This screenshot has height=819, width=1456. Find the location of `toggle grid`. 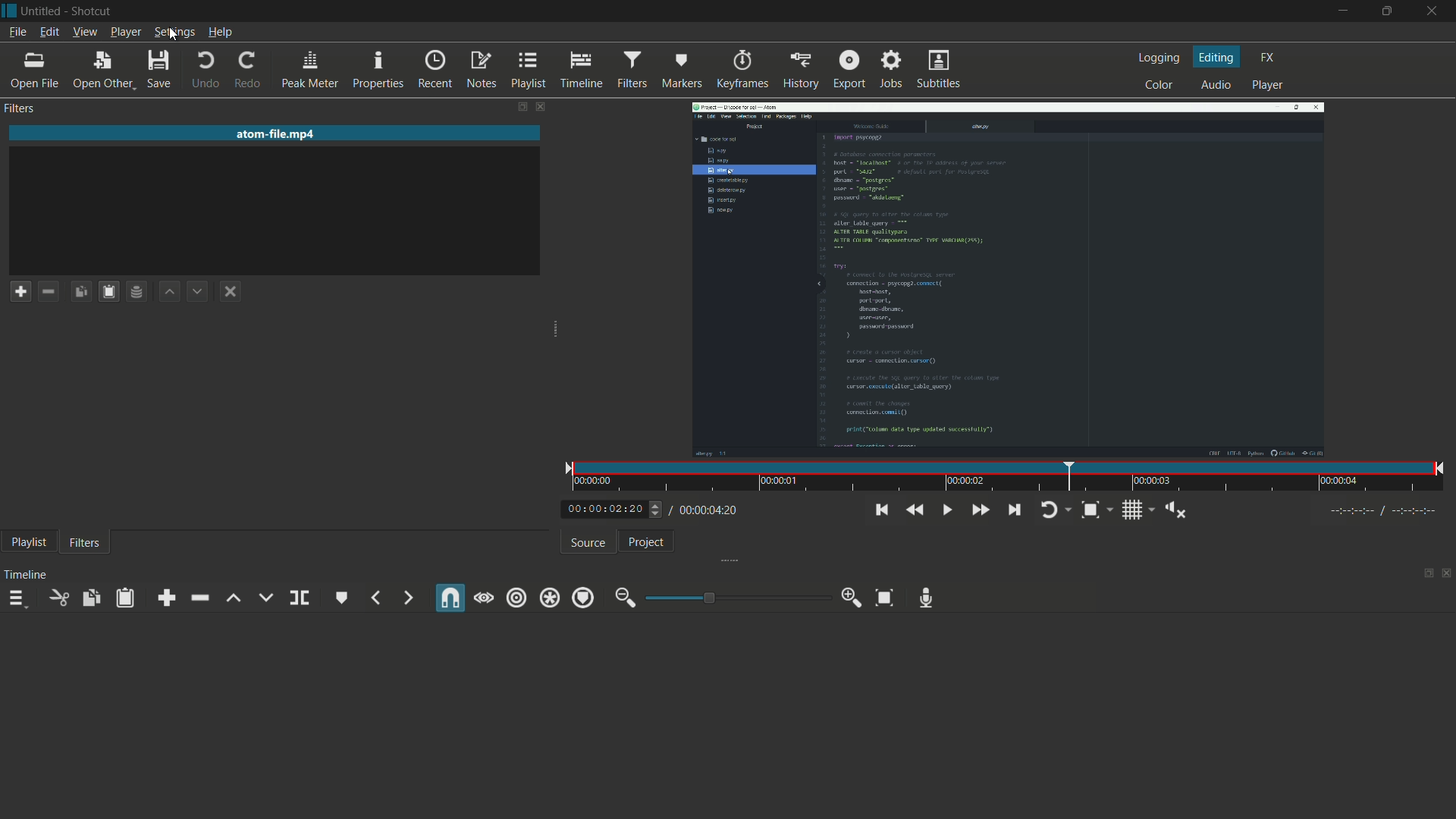

toggle grid is located at coordinates (1134, 510).